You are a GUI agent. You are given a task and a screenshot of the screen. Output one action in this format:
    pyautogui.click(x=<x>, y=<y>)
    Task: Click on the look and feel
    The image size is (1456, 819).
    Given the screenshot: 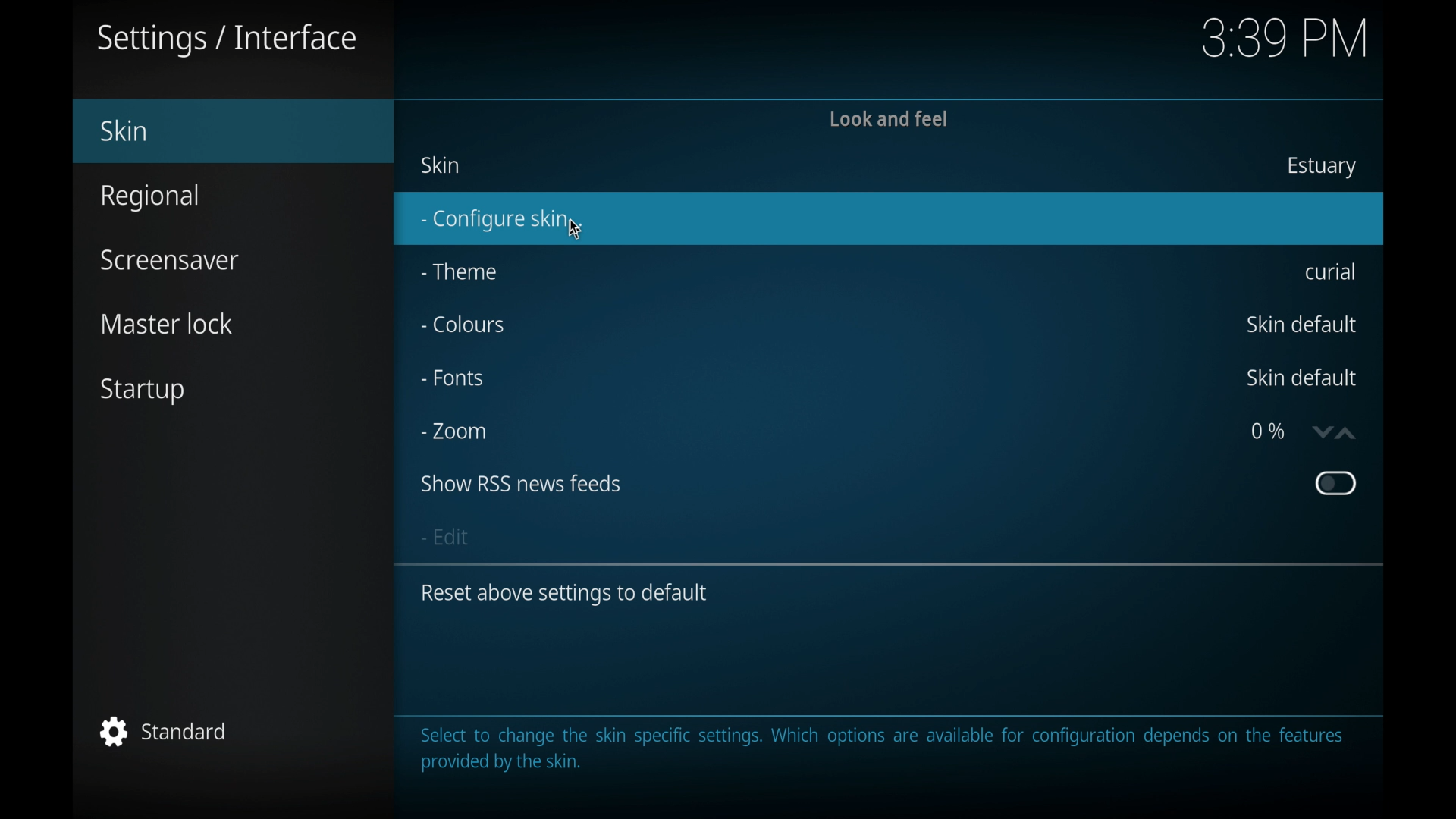 What is the action you would take?
    pyautogui.click(x=892, y=118)
    